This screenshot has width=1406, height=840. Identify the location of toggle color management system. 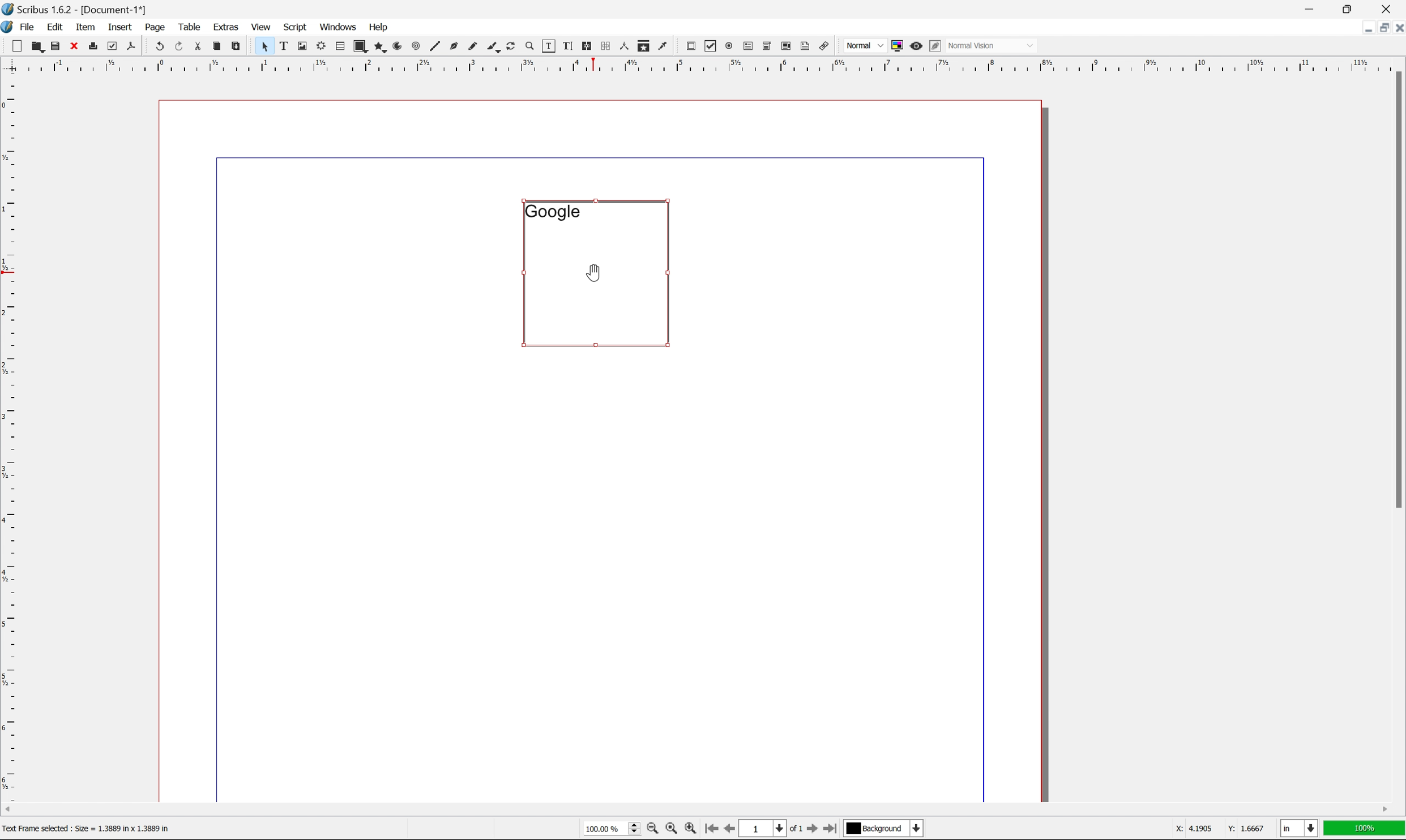
(895, 45).